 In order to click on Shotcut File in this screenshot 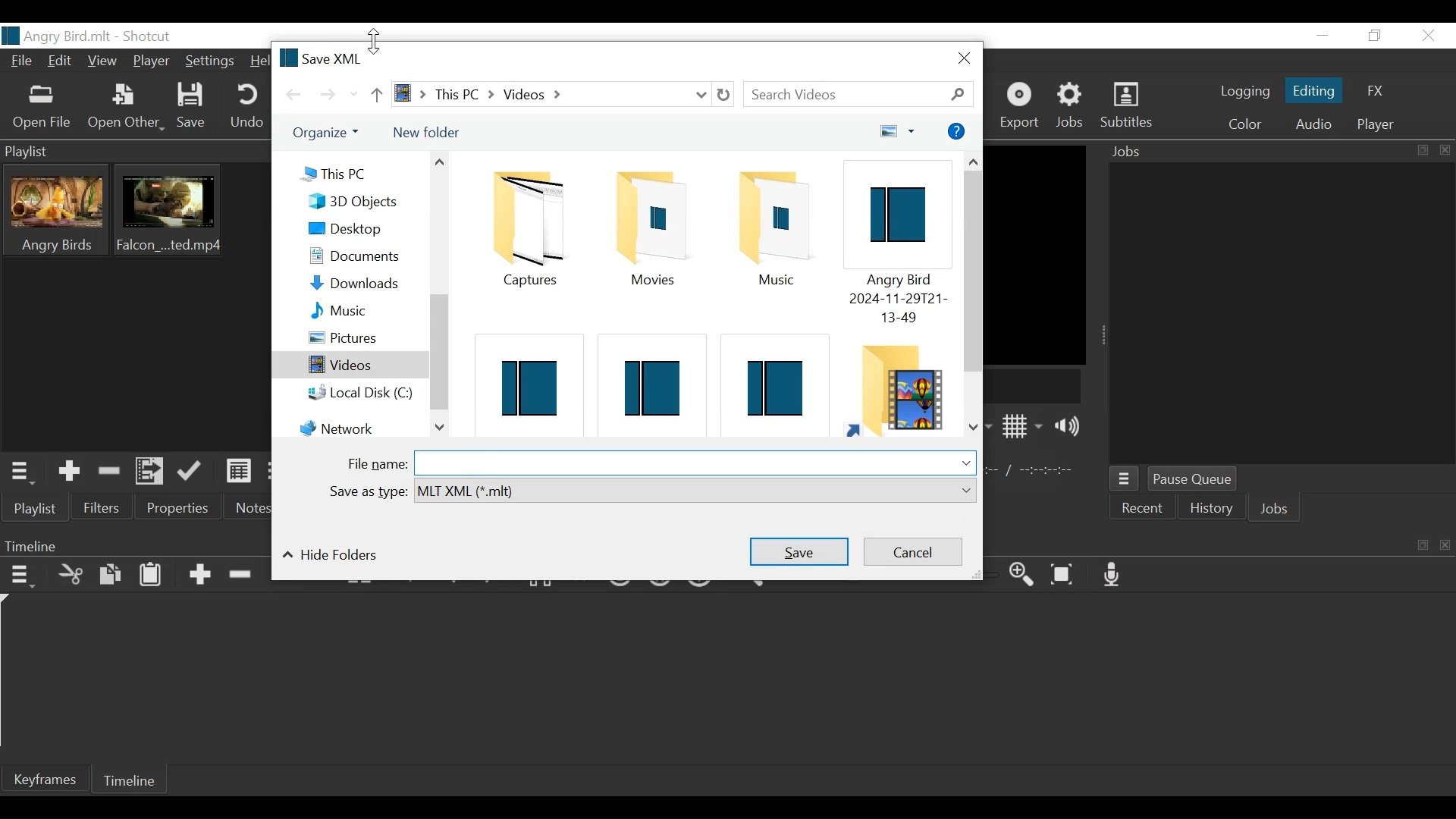, I will do `click(526, 379)`.